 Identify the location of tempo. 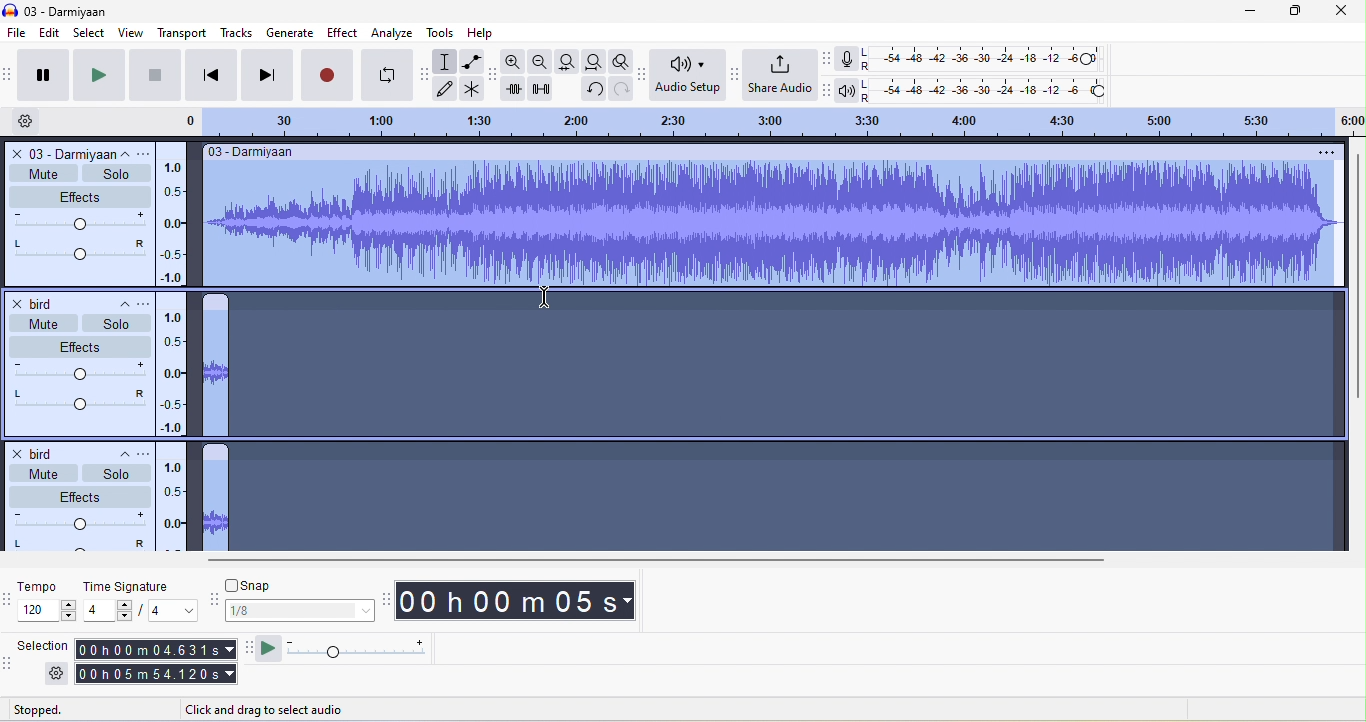
(47, 589).